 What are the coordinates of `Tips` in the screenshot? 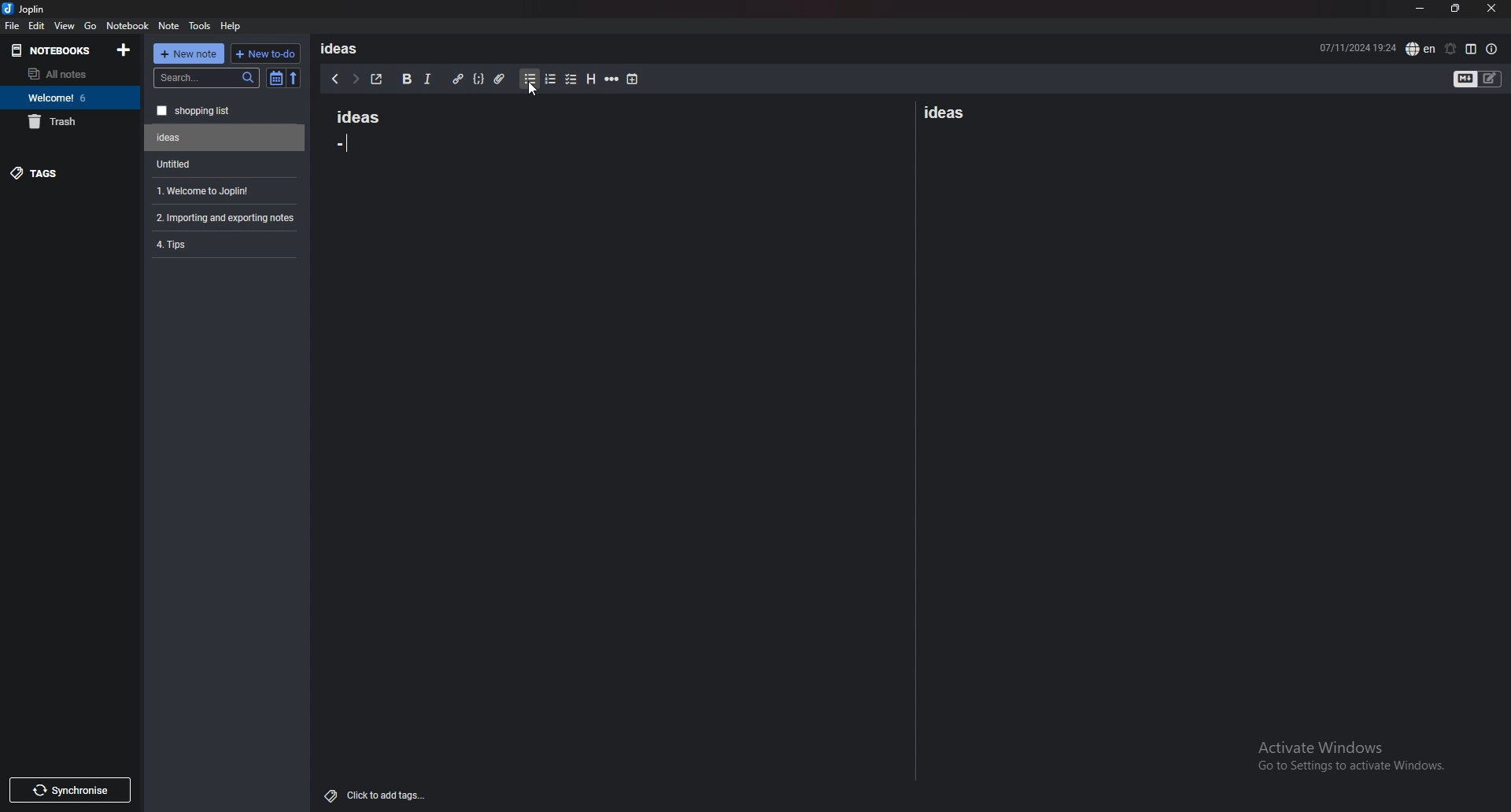 It's located at (224, 243).